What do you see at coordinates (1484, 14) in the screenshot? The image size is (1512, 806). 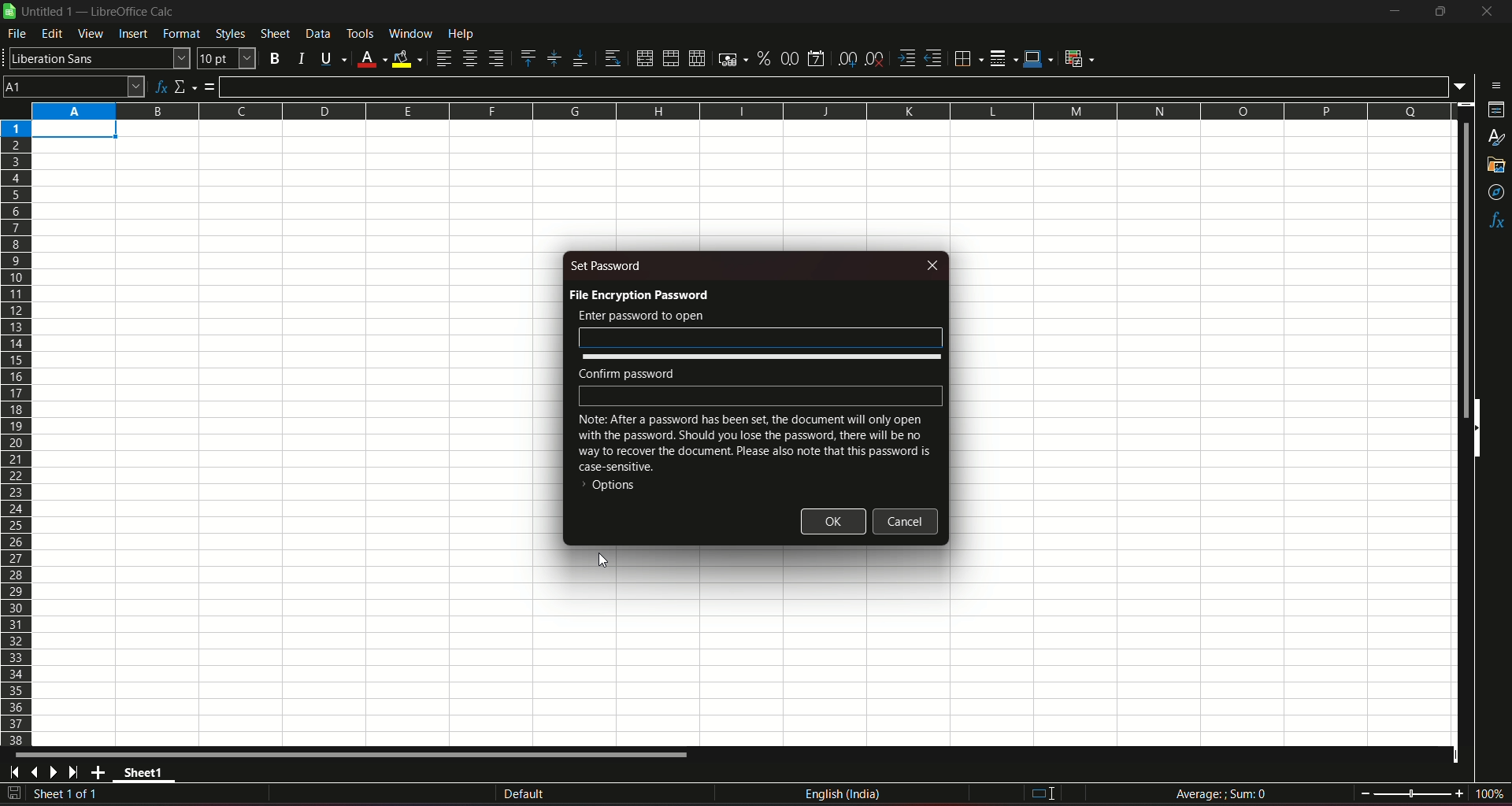 I see `close` at bounding box center [1484, 14].